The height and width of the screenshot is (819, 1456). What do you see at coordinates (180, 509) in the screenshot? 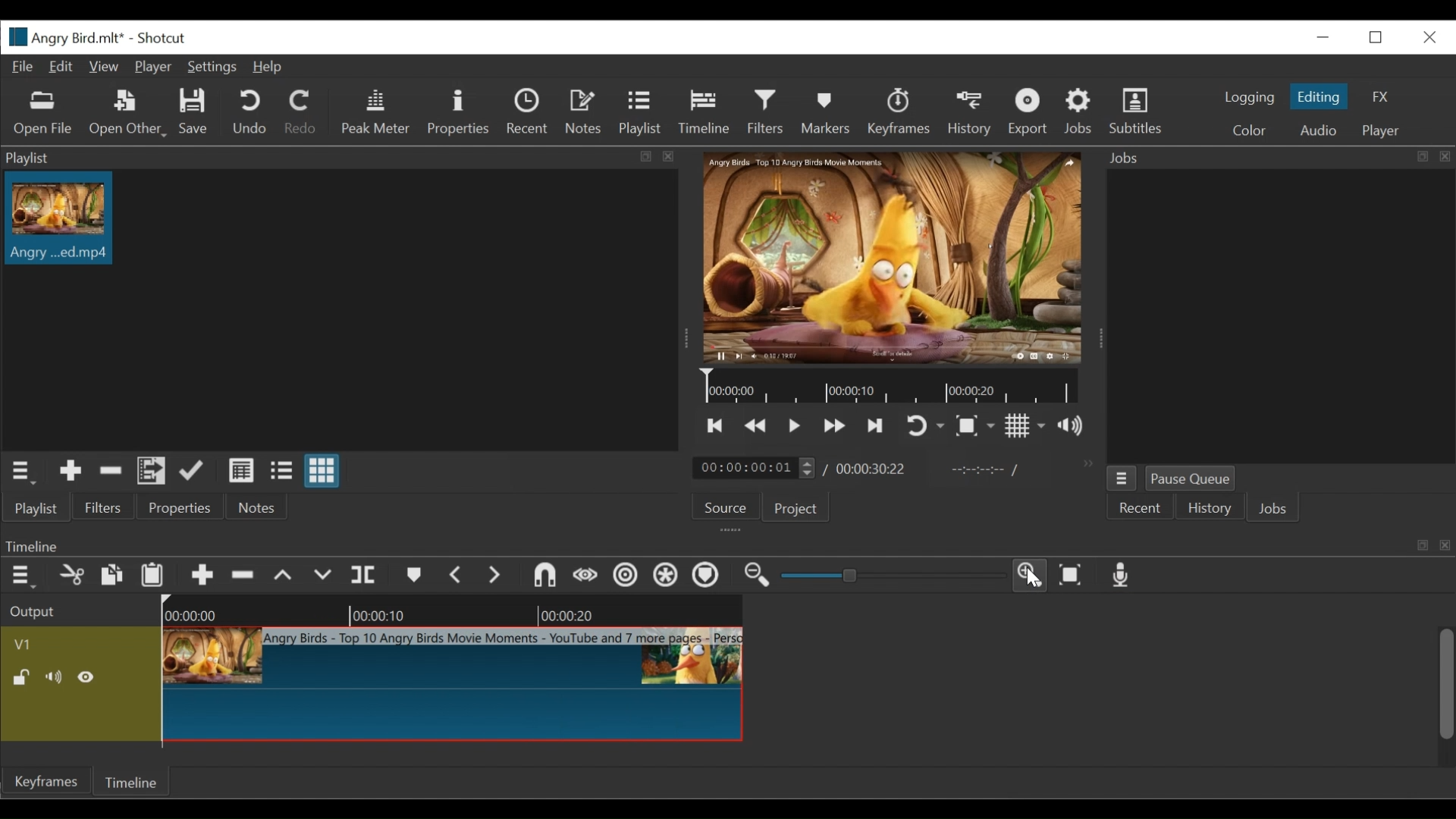
I see `Properties` at bounding box center [180, 509].